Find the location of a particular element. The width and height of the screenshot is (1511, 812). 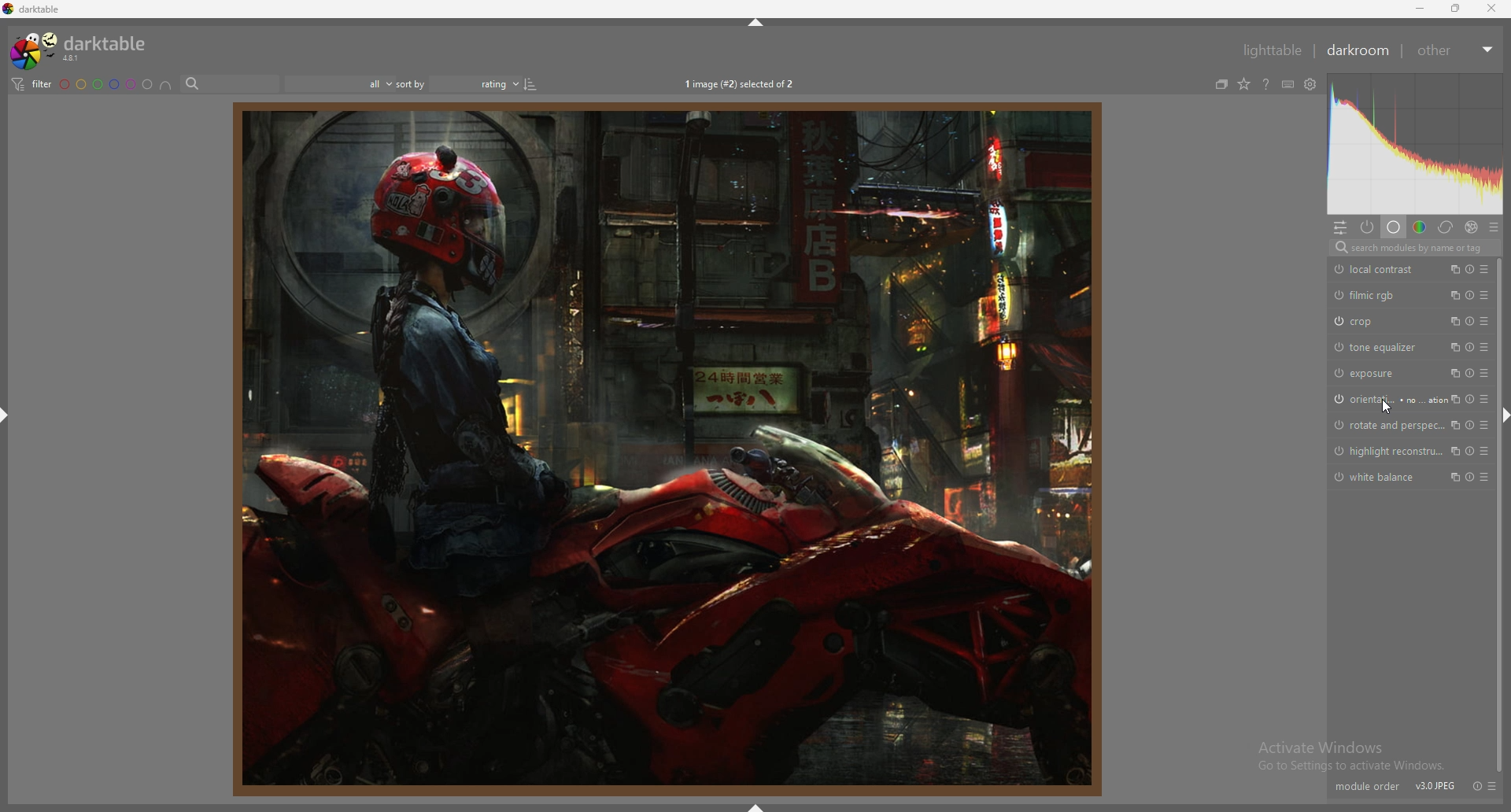

presets is located at coordinates (1483, 294).